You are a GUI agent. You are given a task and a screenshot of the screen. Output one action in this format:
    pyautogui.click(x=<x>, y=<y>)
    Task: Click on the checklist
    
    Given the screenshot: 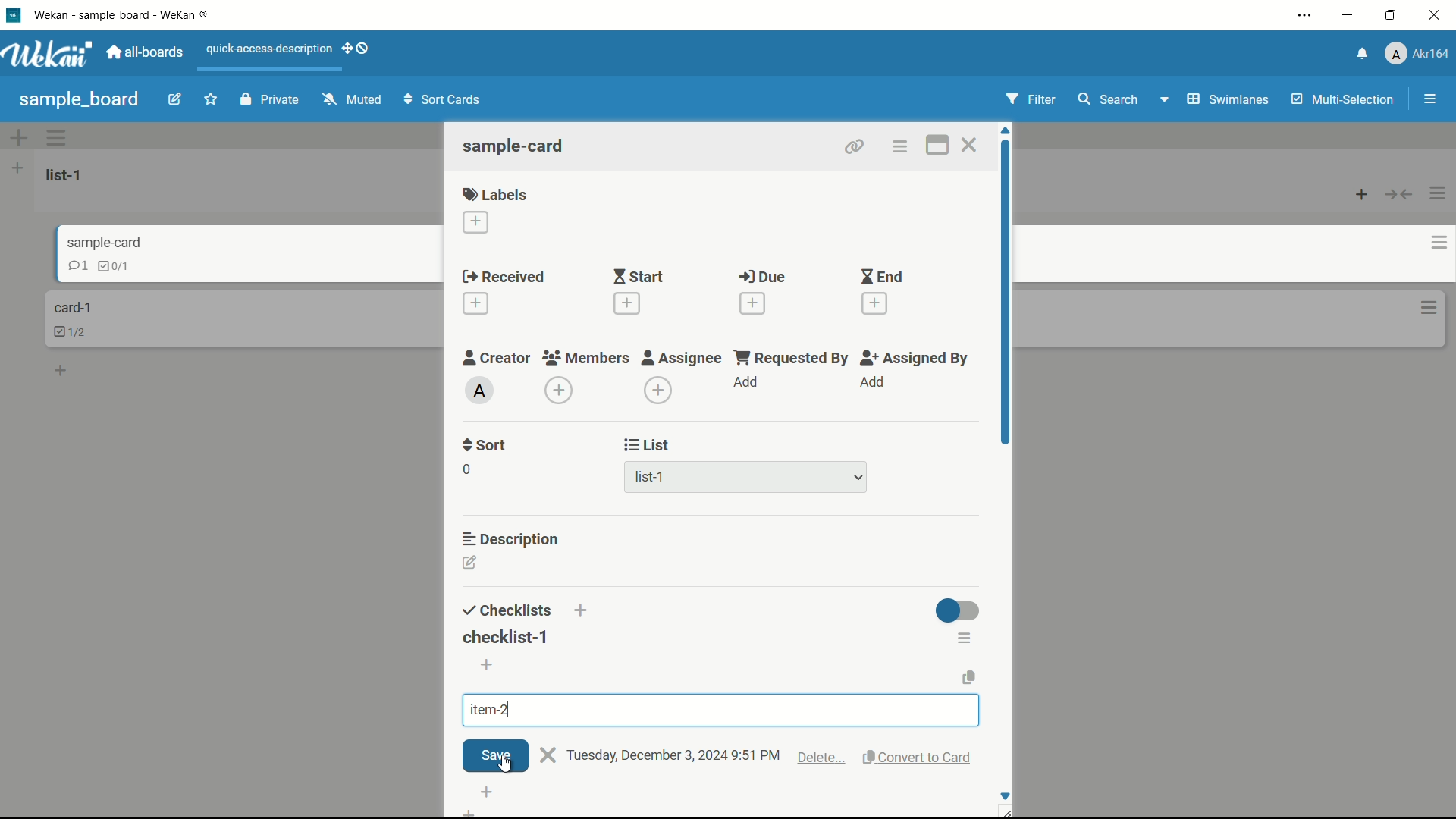 What is the action you would take?
    pyautogui.click(x=74, y=331)
    